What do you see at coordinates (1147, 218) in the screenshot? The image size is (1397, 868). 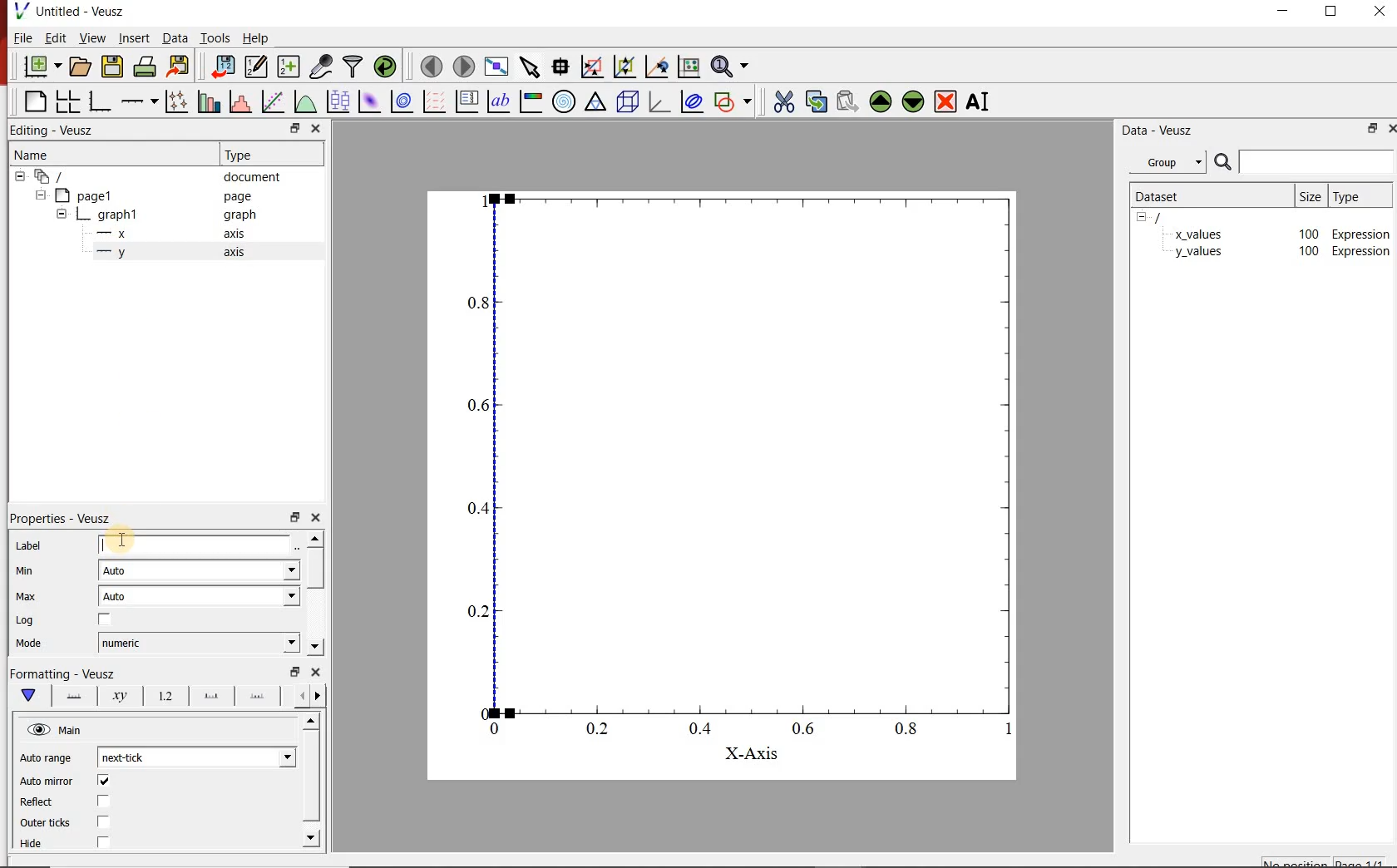 I see `hide` at bounding box center [1147, 218].